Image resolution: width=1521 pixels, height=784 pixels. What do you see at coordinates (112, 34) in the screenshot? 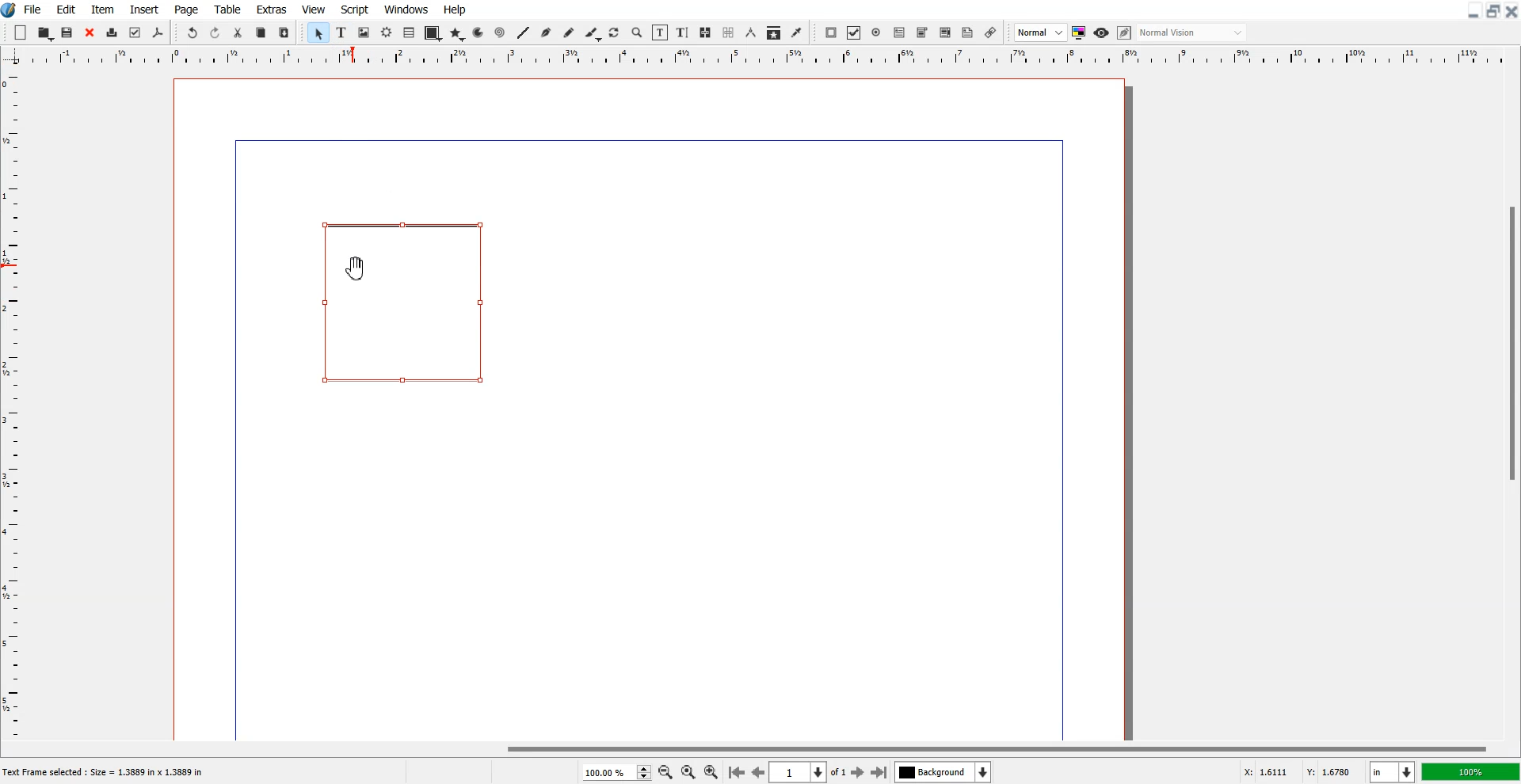
I see `Print` at bounding box center [112, 34].